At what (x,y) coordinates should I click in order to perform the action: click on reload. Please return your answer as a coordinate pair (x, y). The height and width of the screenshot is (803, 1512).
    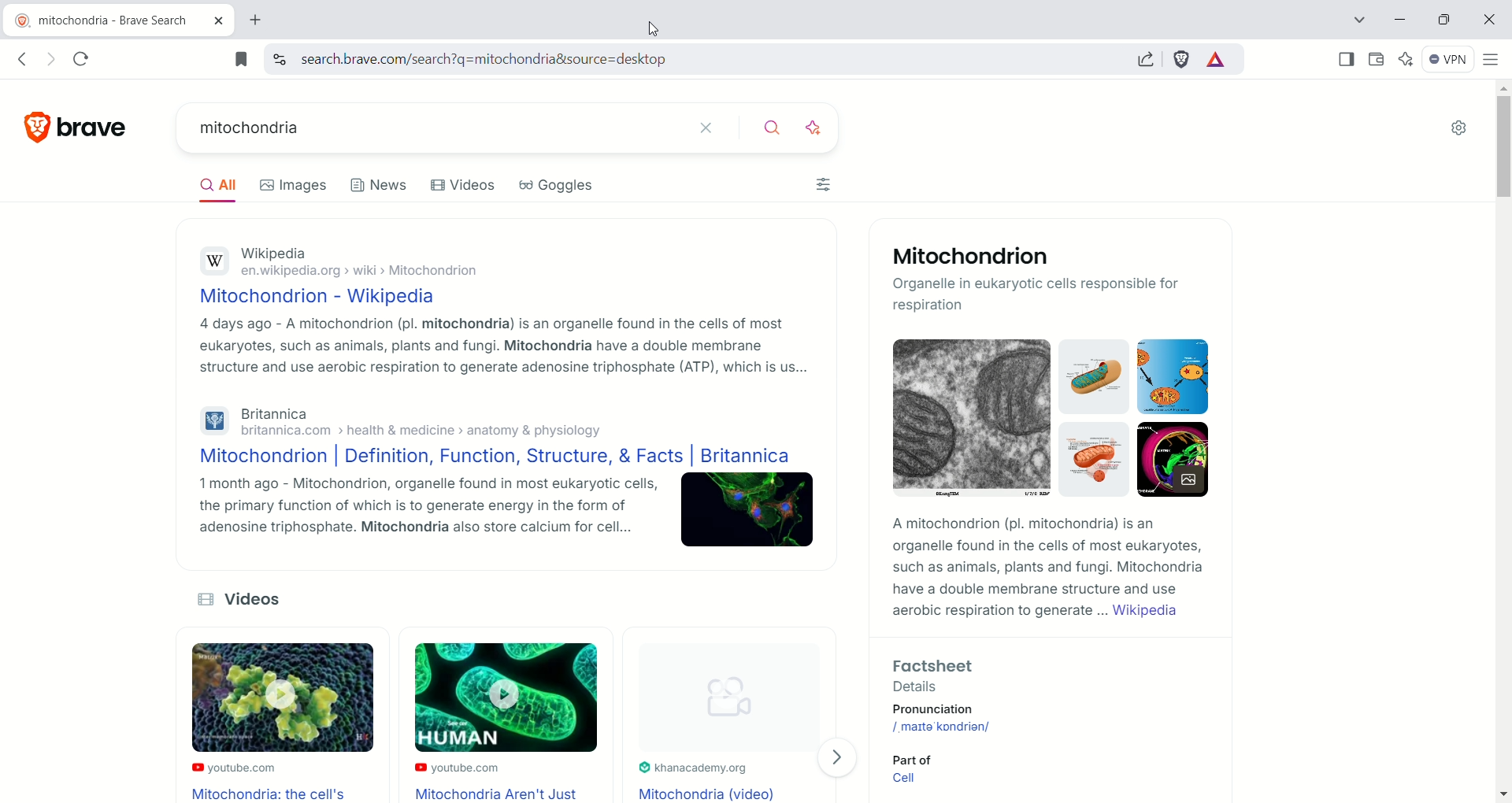
    Looking at the image, I should click on (83, 57).